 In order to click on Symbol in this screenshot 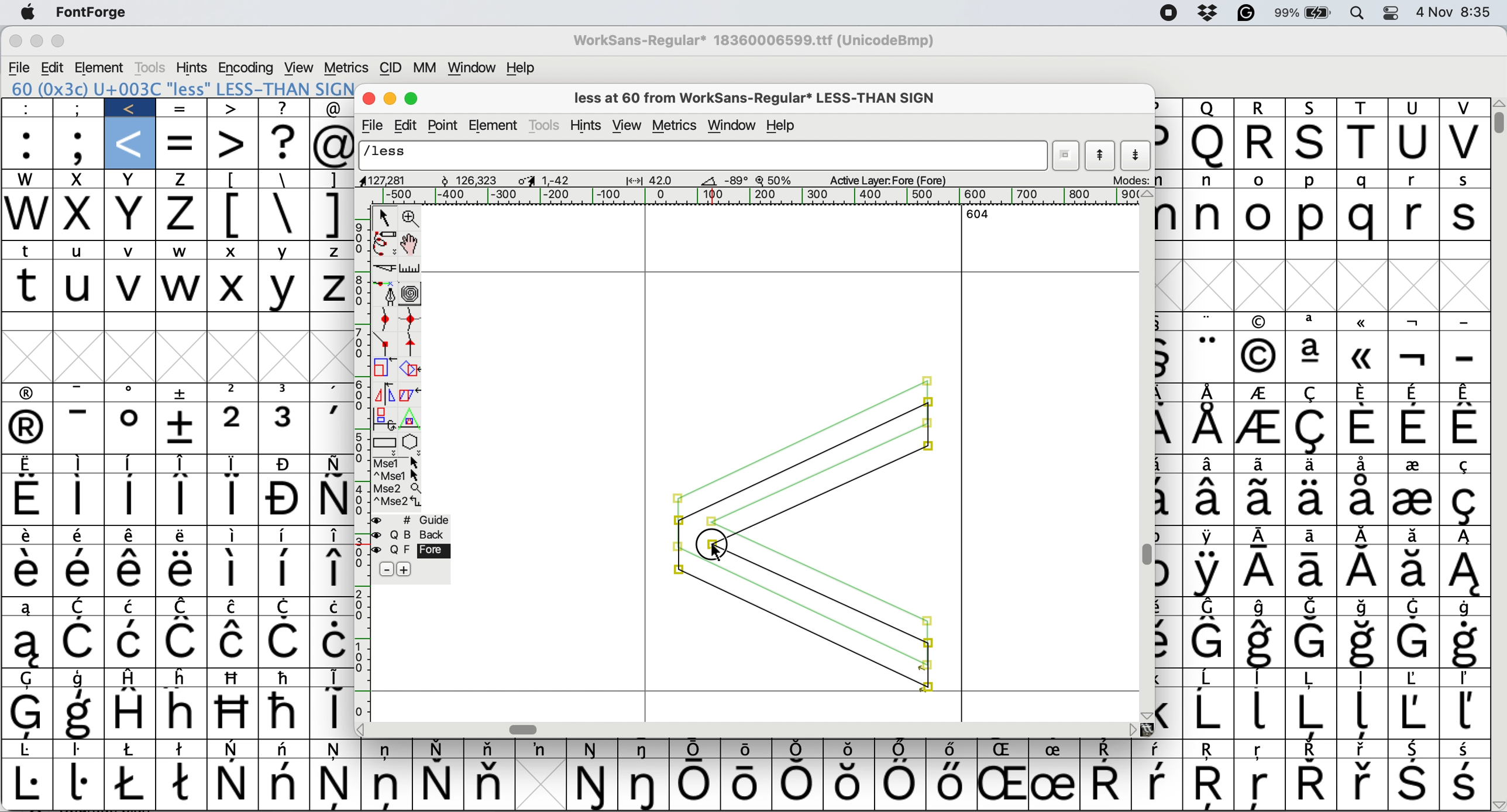, I will do `click(1261, 429)`.